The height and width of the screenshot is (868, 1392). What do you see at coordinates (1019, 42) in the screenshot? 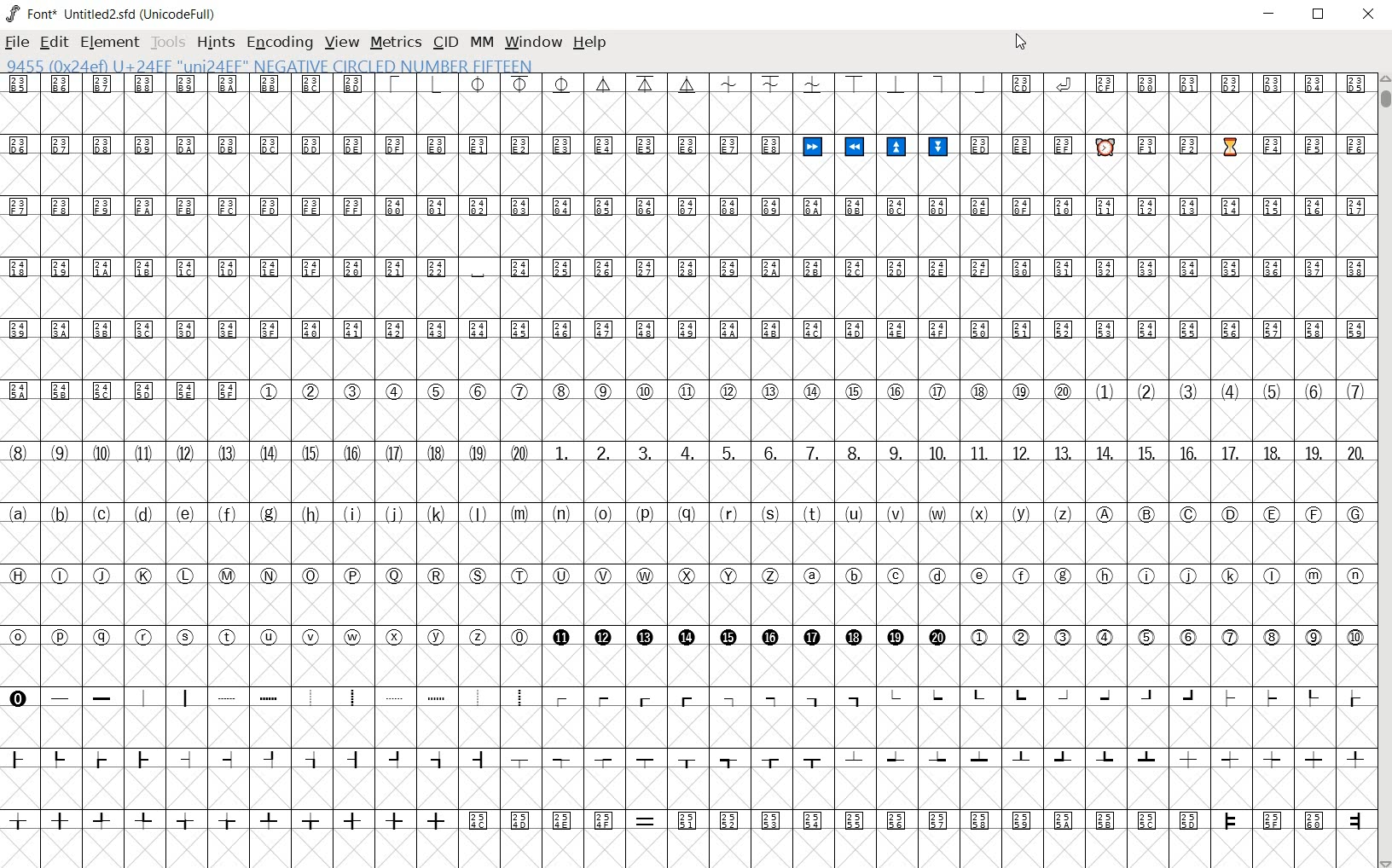
I see `CURSOR` at bounding box center [1019, 42].